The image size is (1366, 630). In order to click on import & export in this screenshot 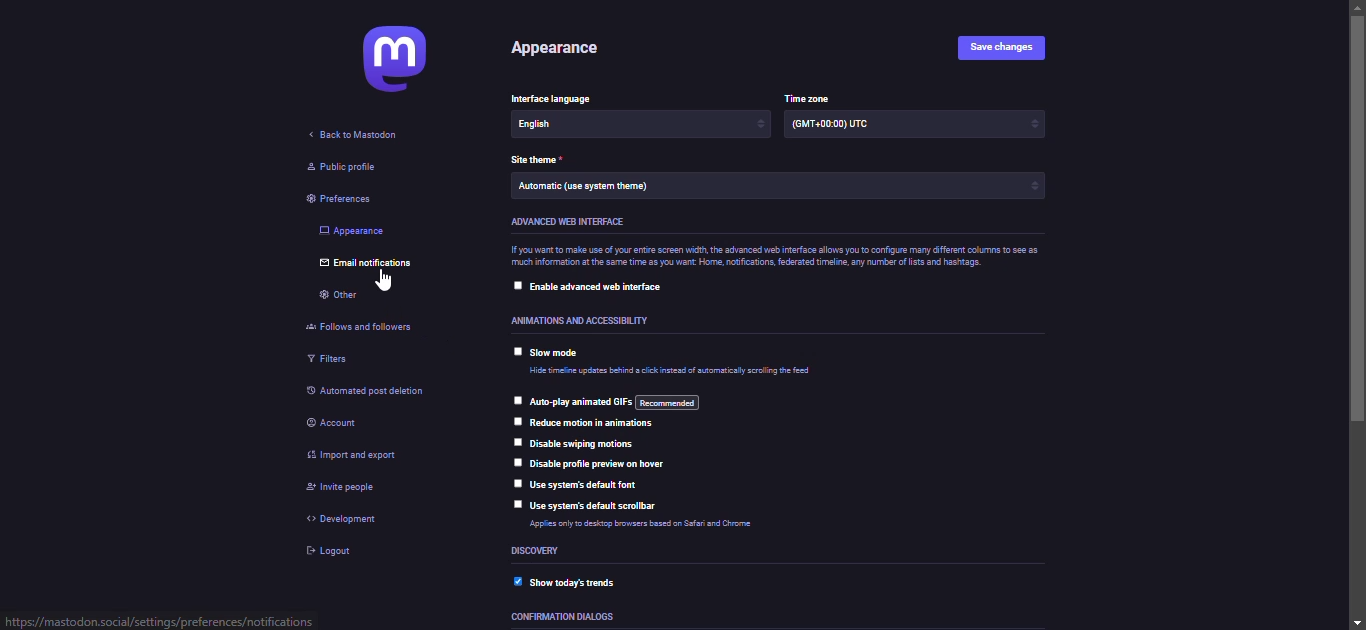, I will do `click(363, 455)`.